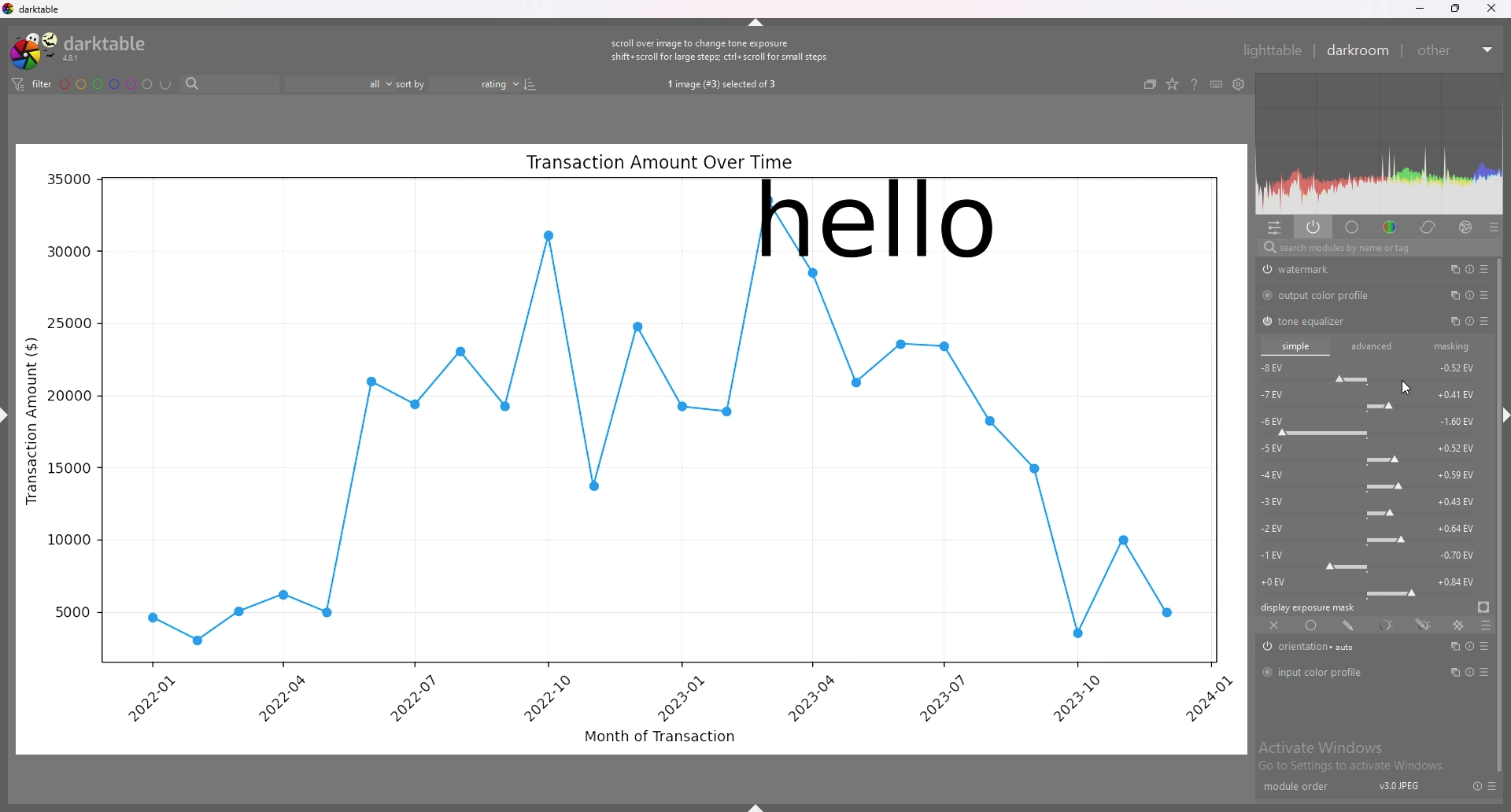  What do you see at coordinates (664, 463) in the screenshot?
I see `graph line` at bounding box center [664, 463].